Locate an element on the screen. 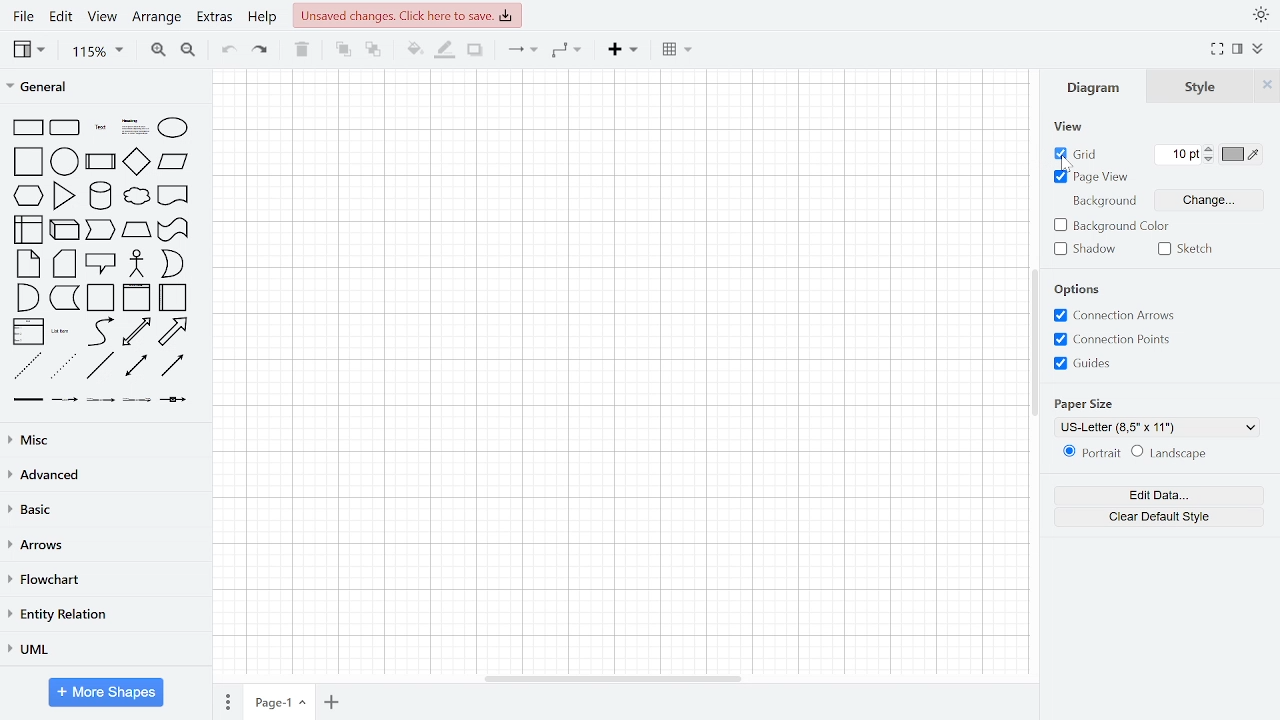 This screenshot has height=720, width=1280. diagram is located at coordinates (1094, 87).